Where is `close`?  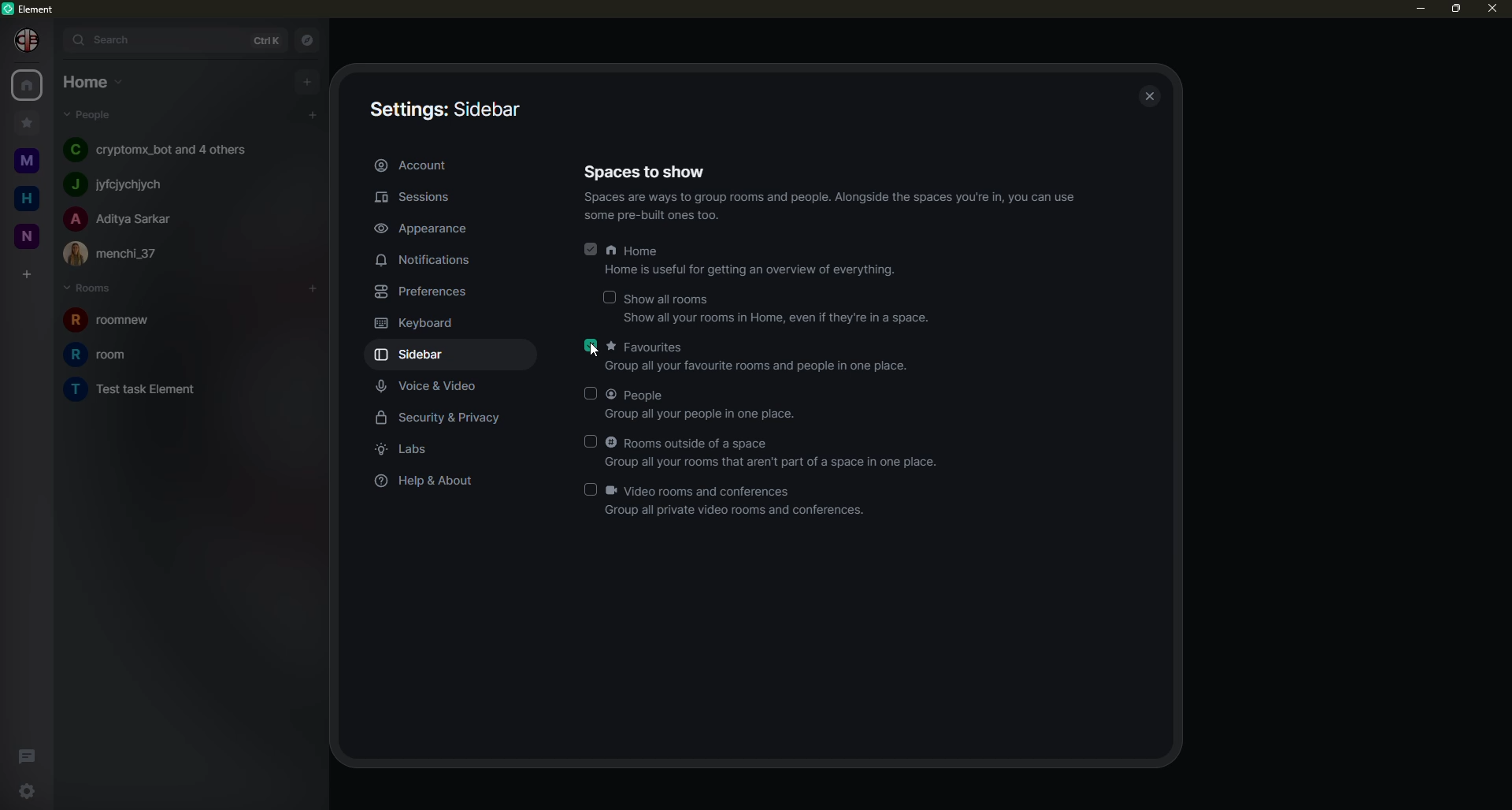 close is located at coordinates (1495, 10).